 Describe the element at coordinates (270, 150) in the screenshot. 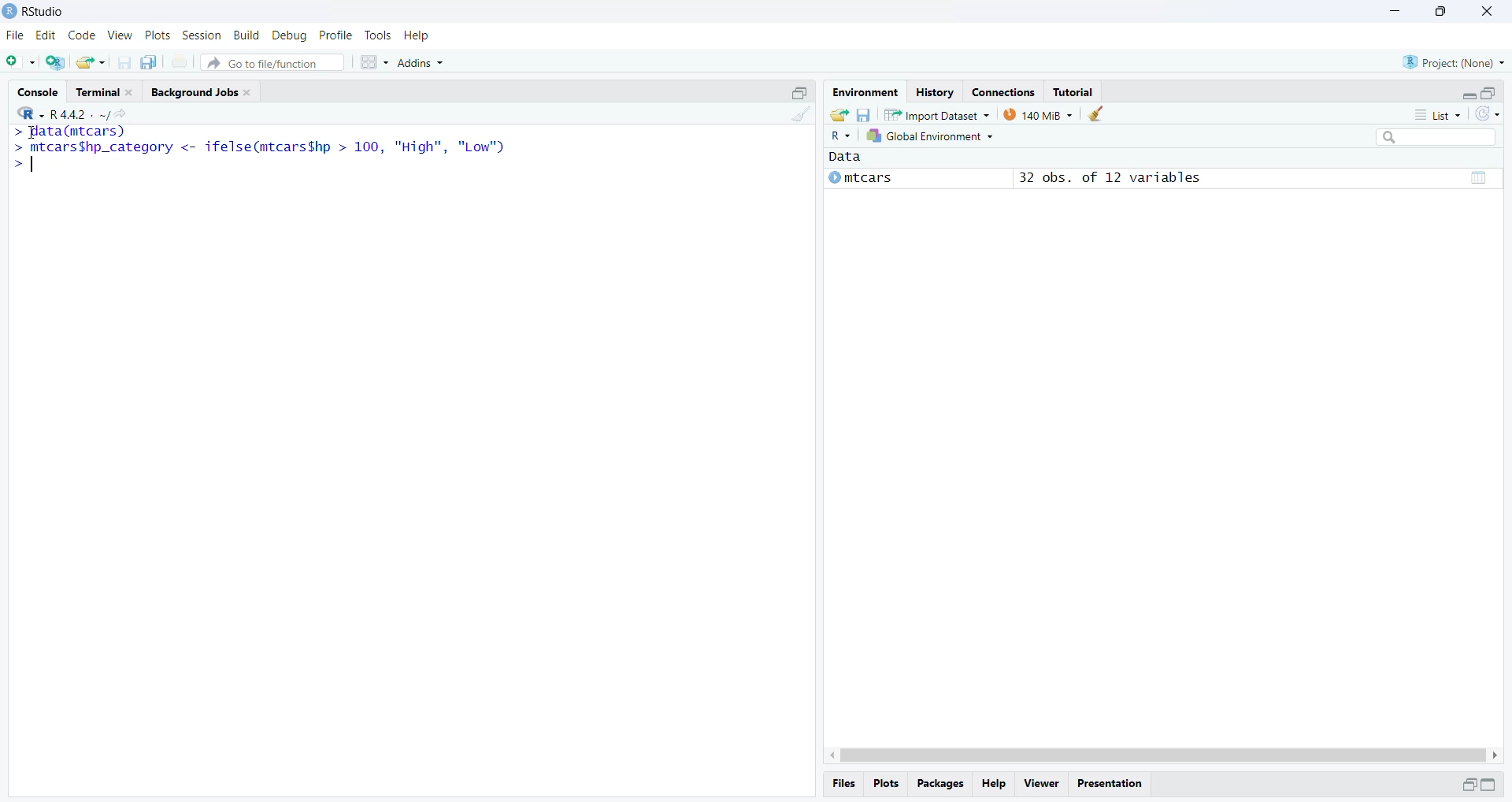

I see `» palaUslais Jy
> mtcarsShp_category <- ifelse(mtcars$hp > 100, "High", "Low"
>|` at that location.